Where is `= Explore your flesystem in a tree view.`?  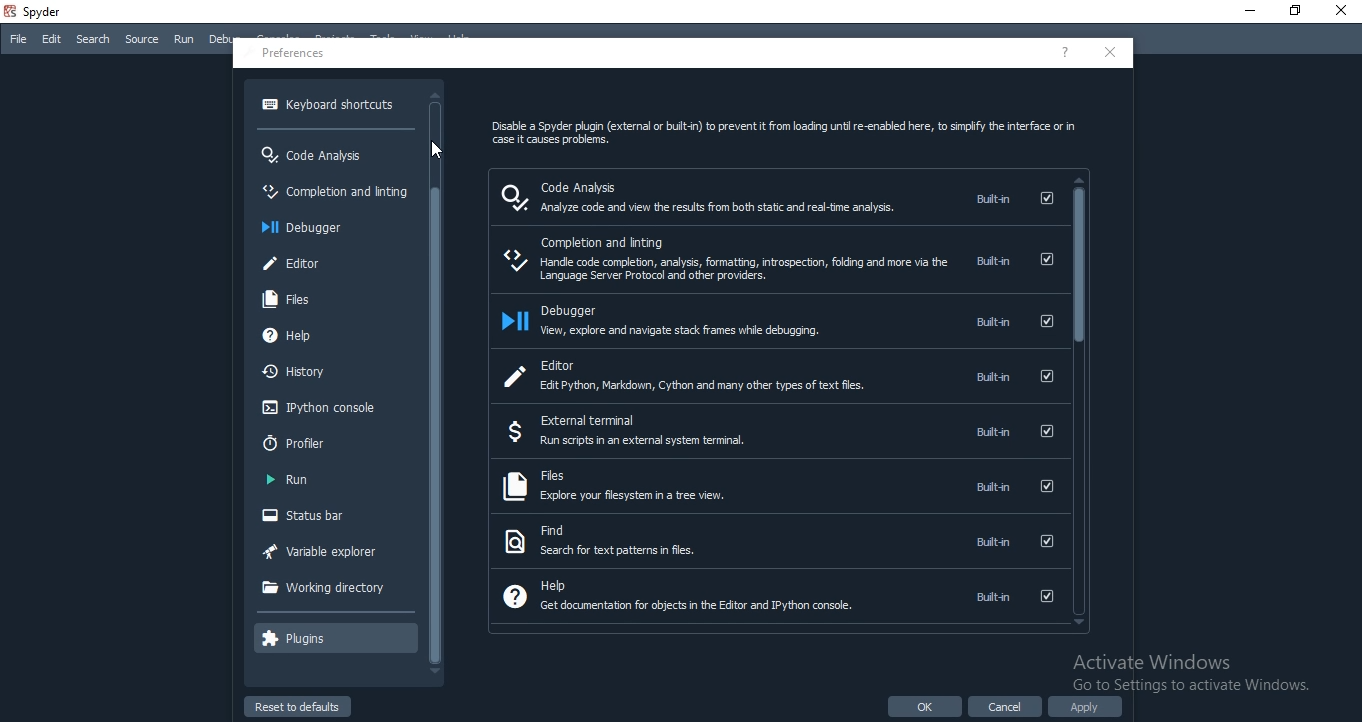 = Explore your flesystem in a tree view. is located at coordinates (636, 500).